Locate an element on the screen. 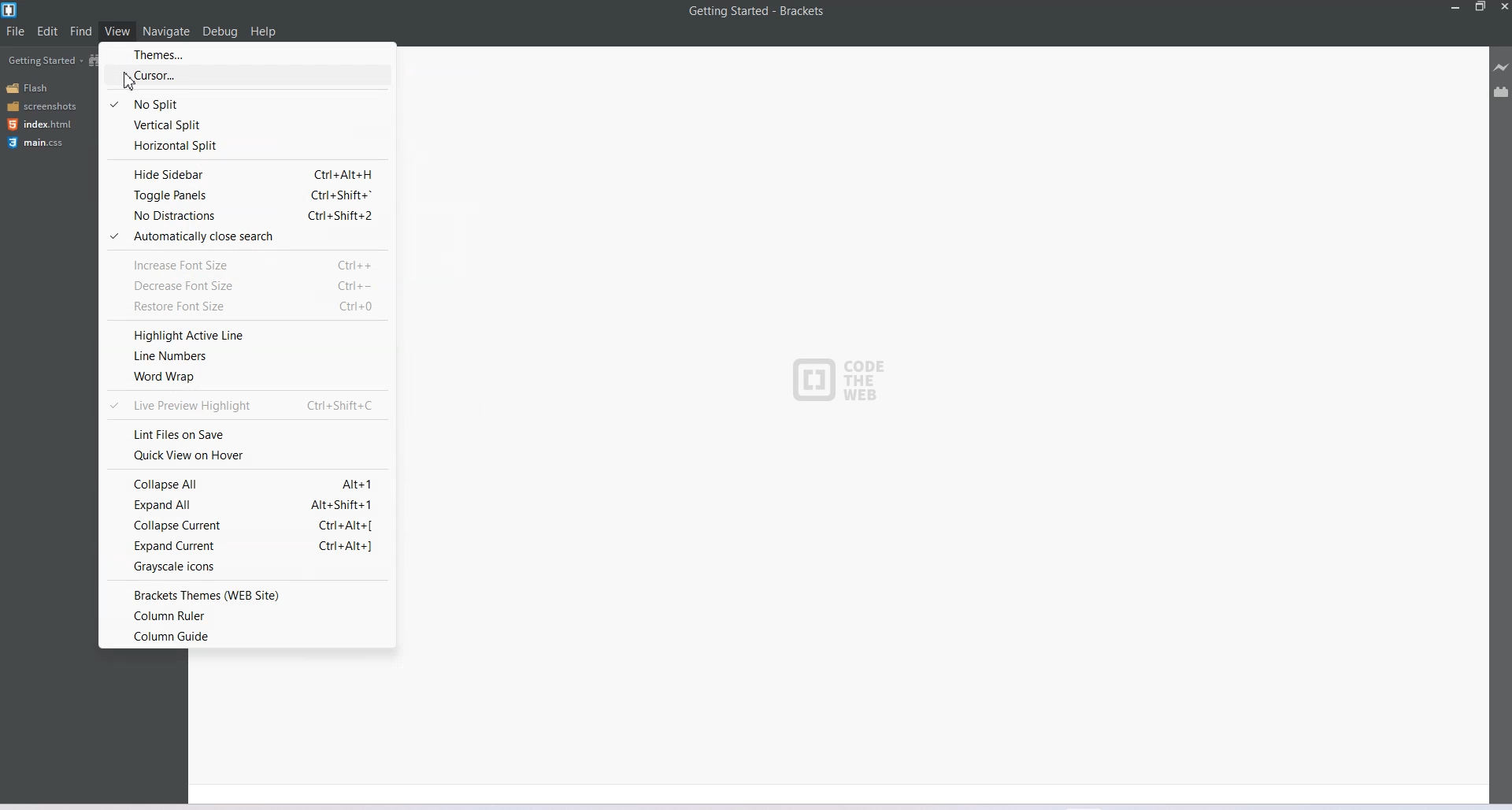 The height and width of the screenshot is (810, 1512). Hide sidebar is located at coordinates (245, 172).